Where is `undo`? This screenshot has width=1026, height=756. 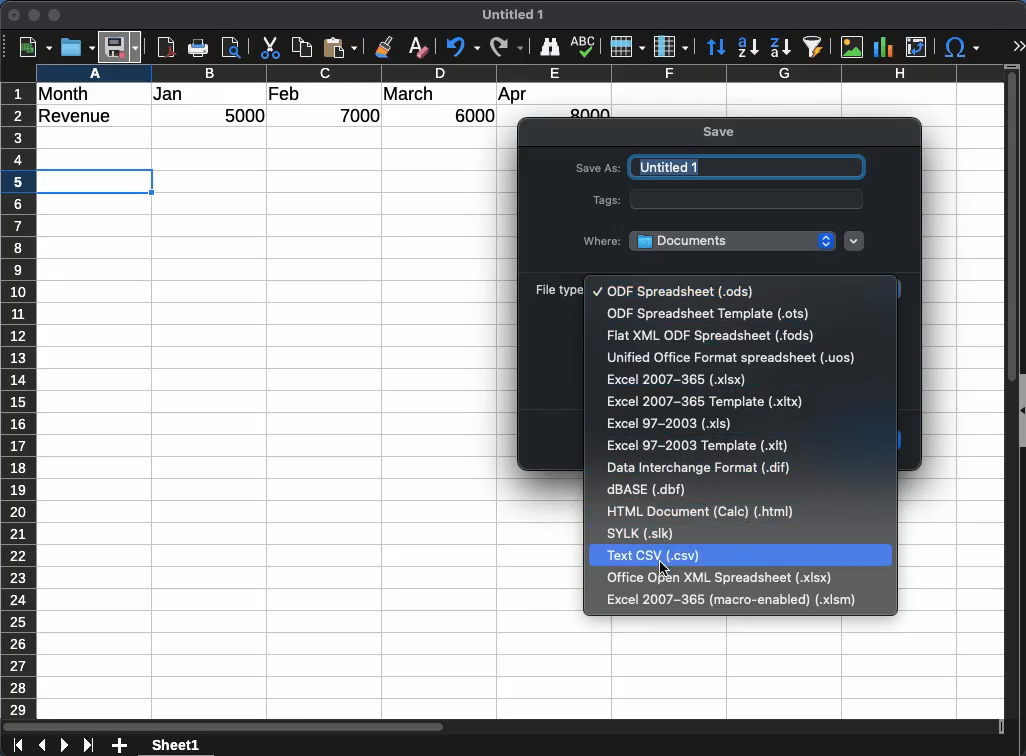 undo is located at coordinates (460, 48).